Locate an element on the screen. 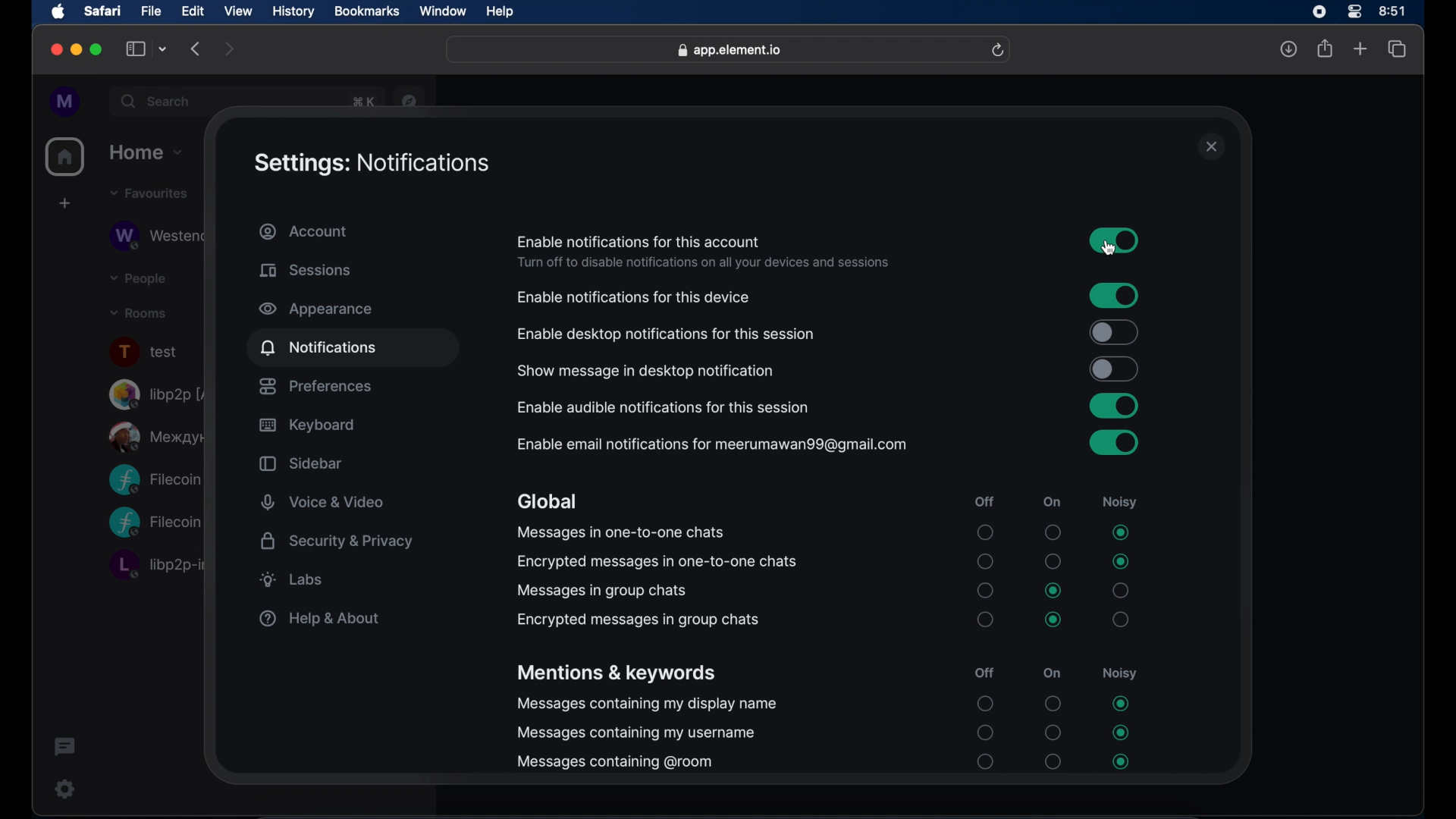 Image resolution: width=1456 pixels, height=819 pixels. on is located at coordinates (1053, 673).